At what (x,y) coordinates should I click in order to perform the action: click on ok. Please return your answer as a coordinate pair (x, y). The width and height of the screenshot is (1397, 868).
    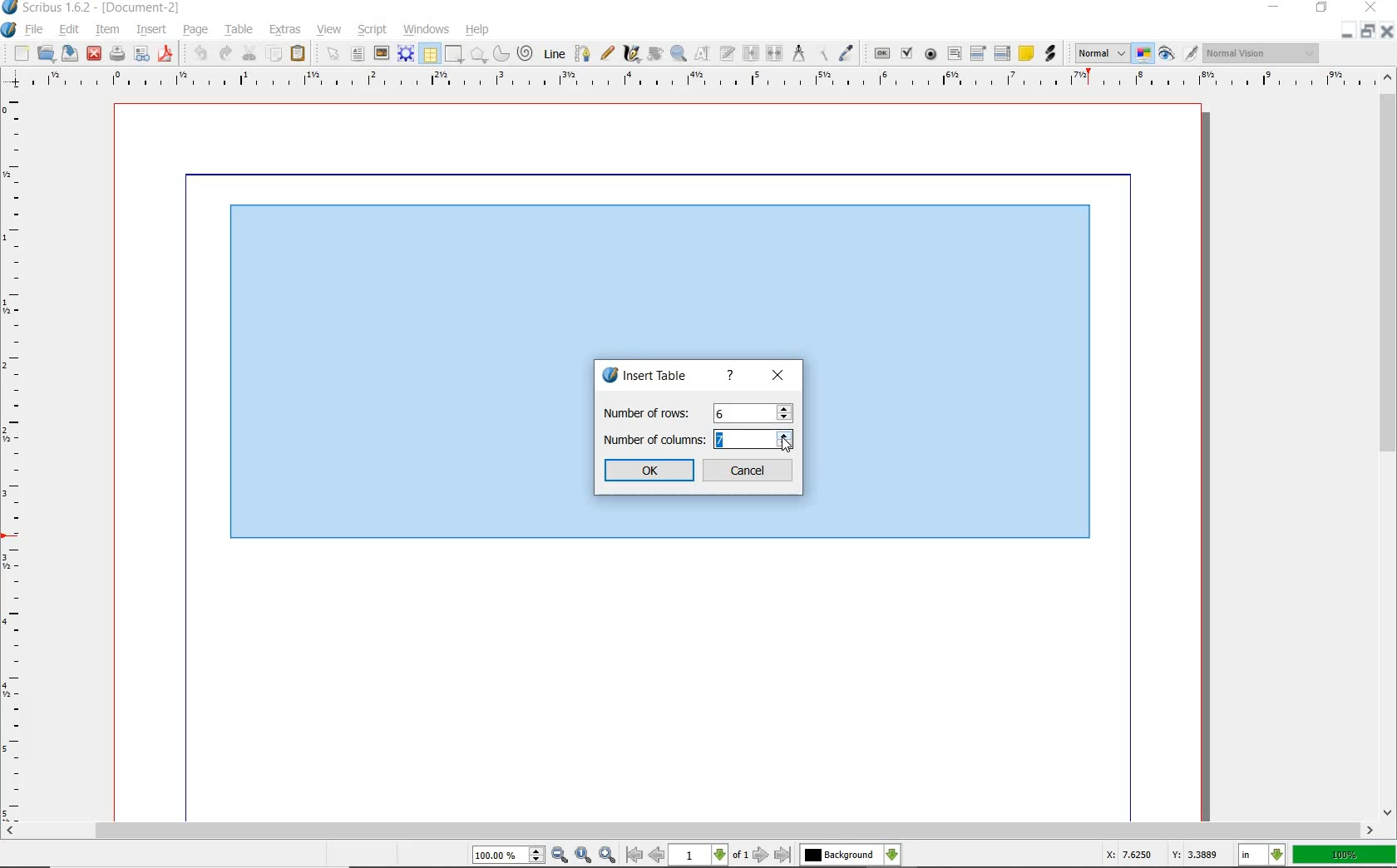
    Looking at the image, I should click on (647, 472).